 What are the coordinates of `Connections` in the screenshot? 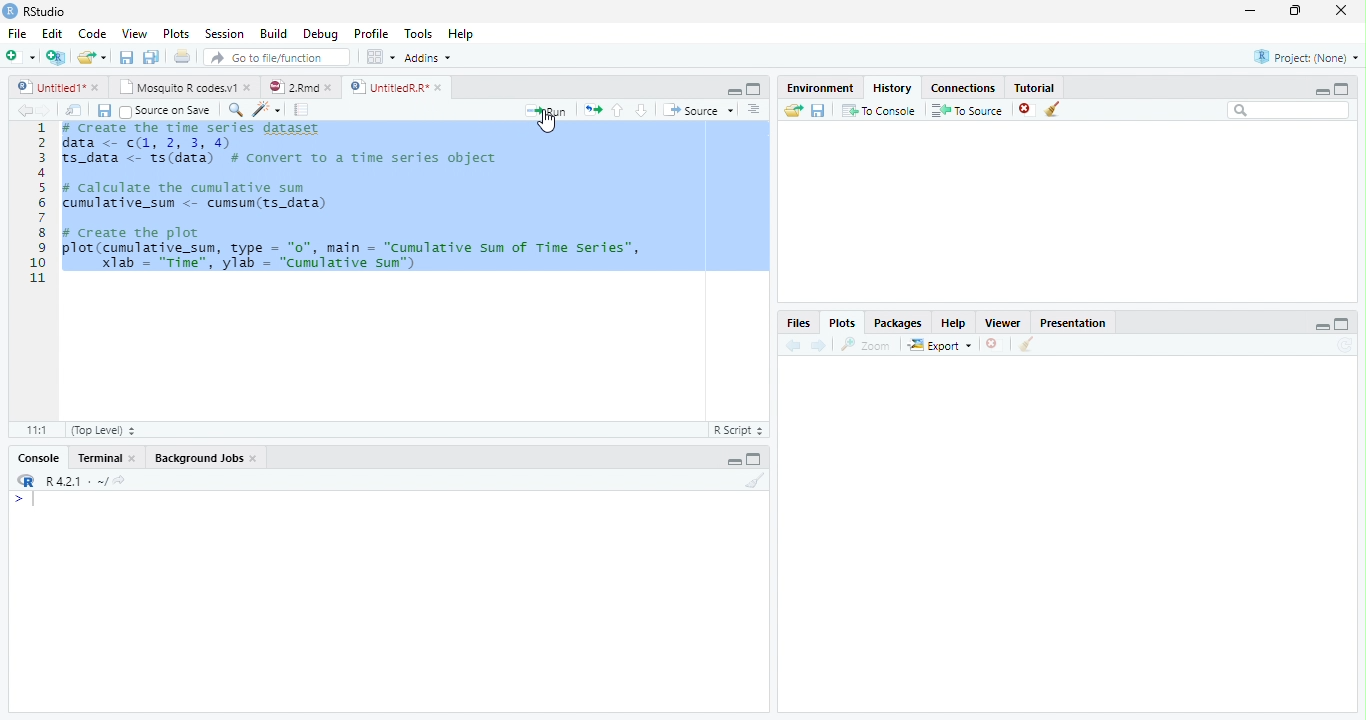 It's located at (961, 87).